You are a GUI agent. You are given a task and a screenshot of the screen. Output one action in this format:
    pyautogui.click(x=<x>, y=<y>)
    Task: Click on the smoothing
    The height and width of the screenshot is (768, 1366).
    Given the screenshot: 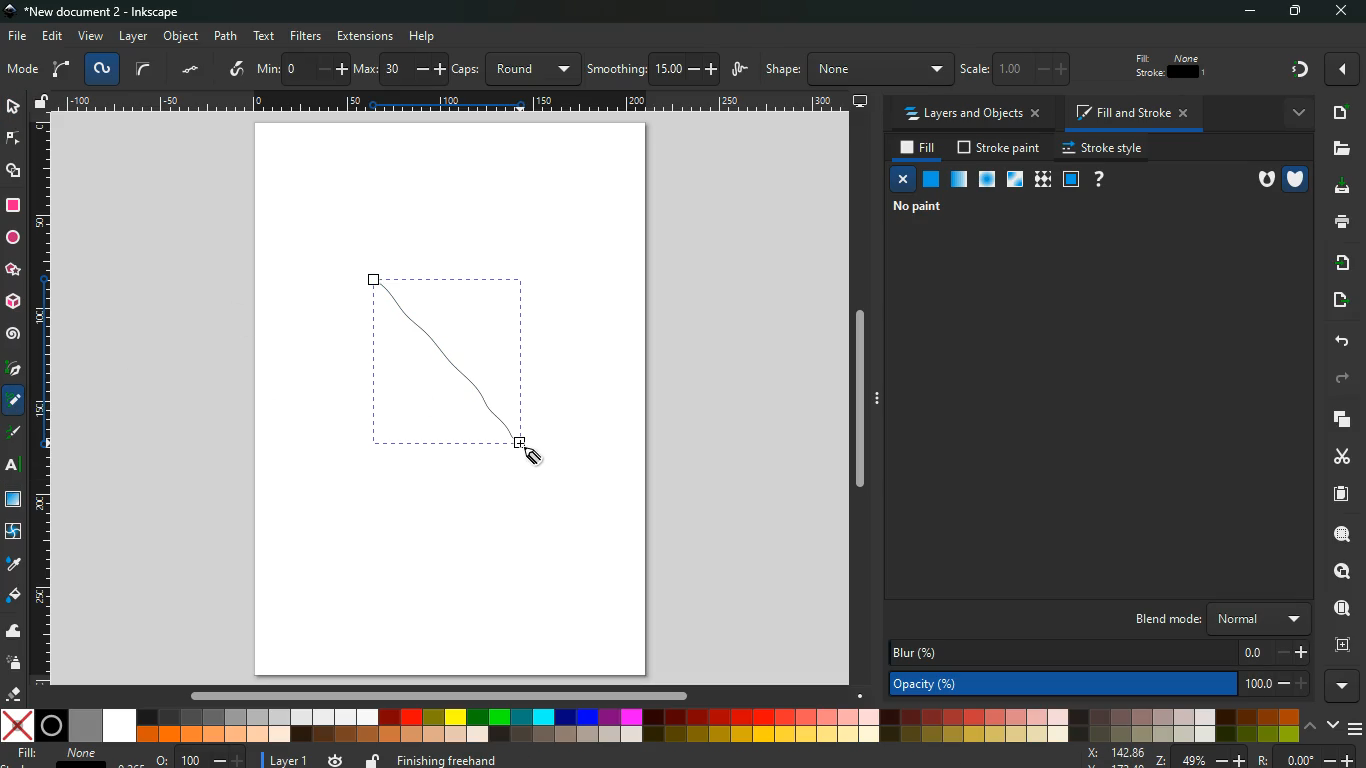 What is the action you would take?
    pyautogui.click(x=652, y=68)
    